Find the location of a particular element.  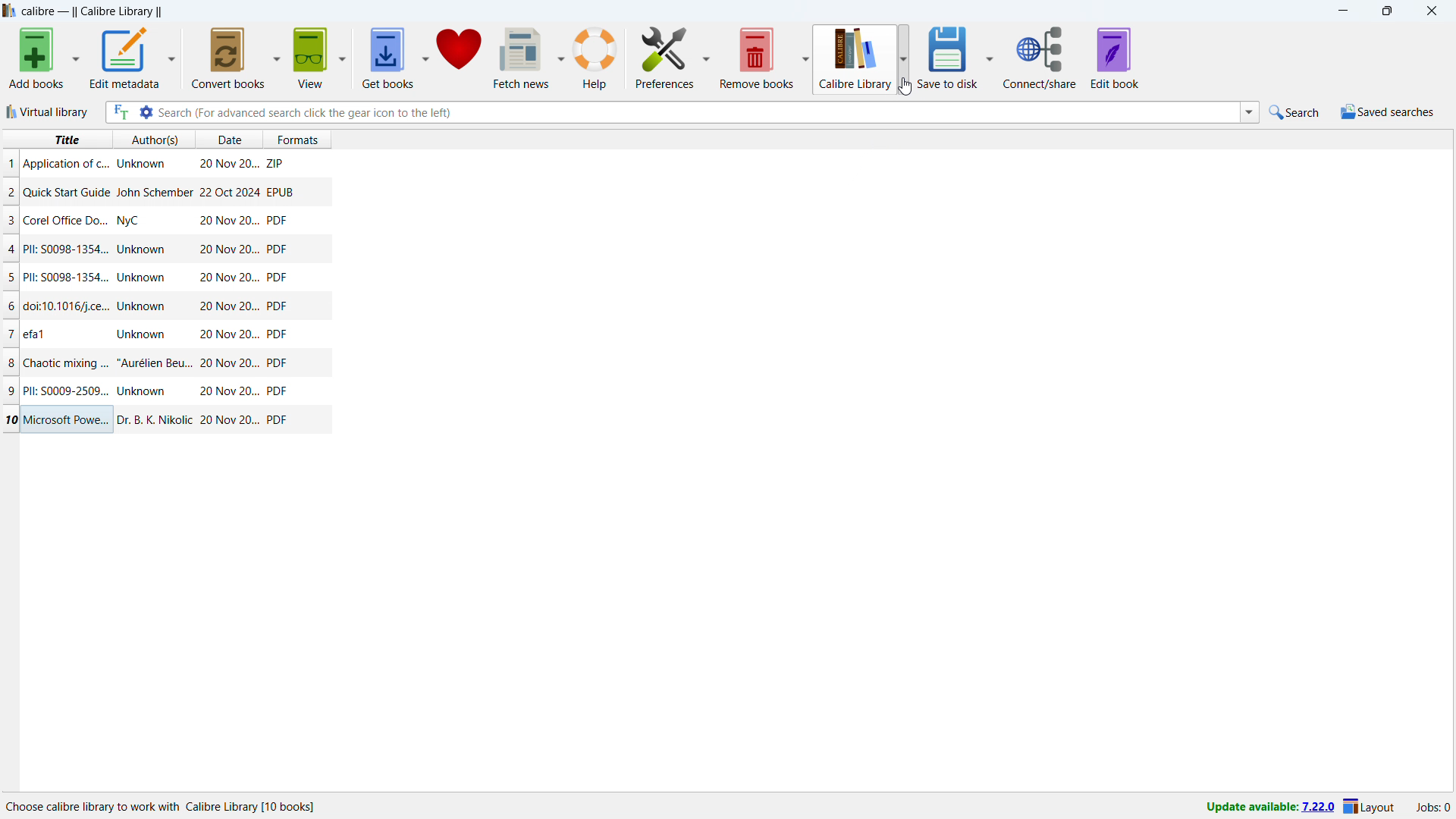

quick search is located at coordinates (1296, 112).